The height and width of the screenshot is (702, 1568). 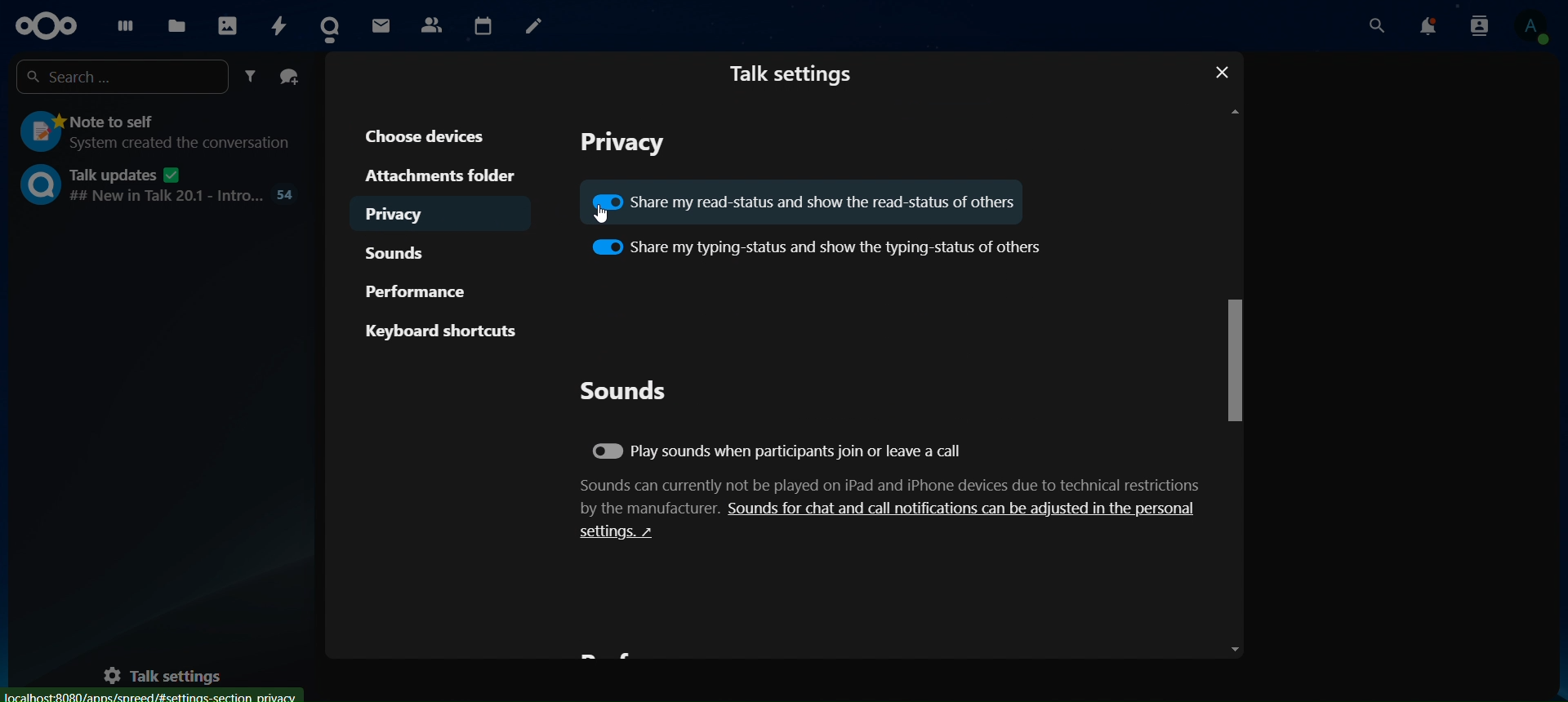 What do you see at coordinates (422, 288) in the screenshot?
I see `performance` at bounding box center [422, 288].